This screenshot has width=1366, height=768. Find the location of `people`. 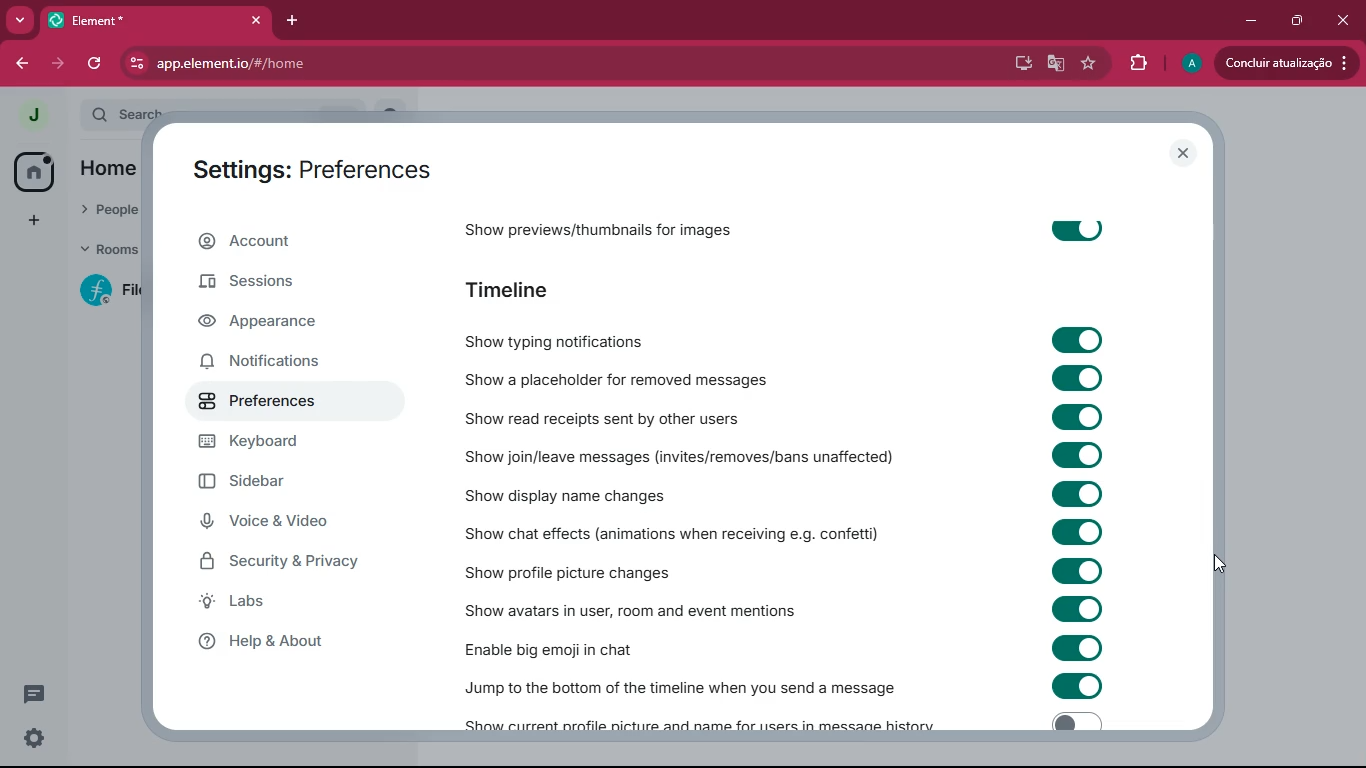

people is located at coordinates (107, 206).